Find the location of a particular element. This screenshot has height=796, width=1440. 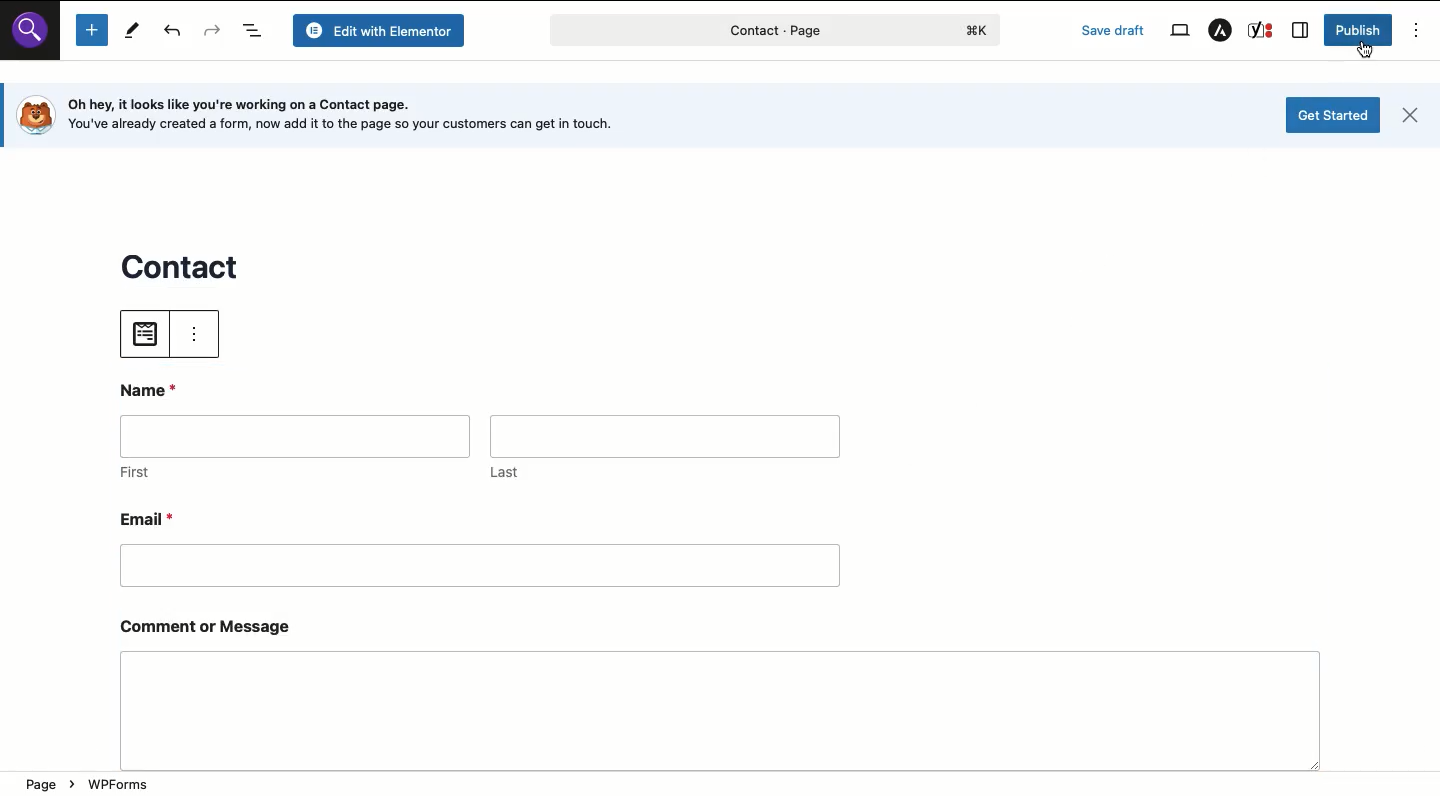

Yoast is located at coordinates (1261, 30).